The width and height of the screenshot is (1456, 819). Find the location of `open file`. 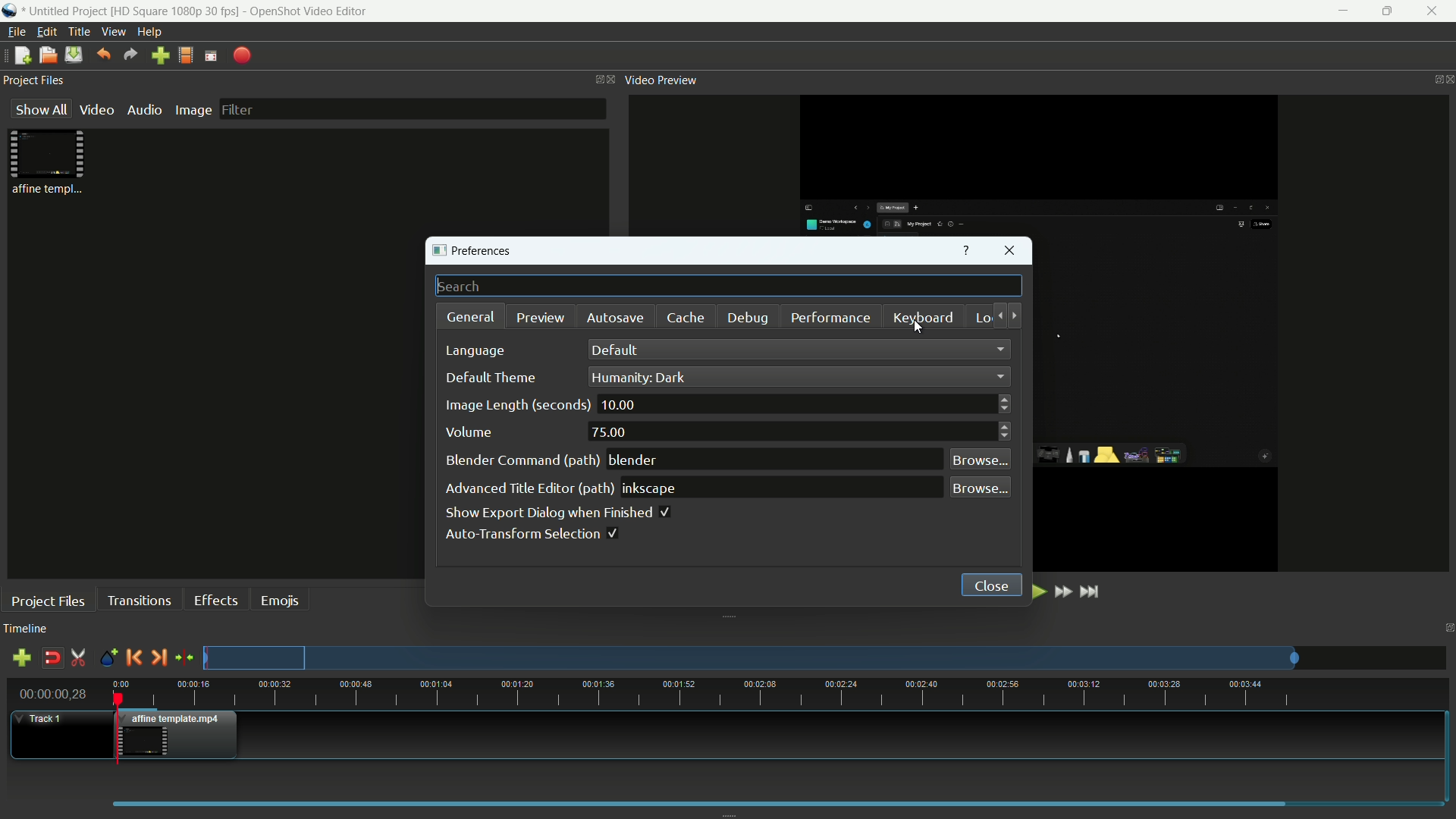

open file is located at coordinates (48, 55).